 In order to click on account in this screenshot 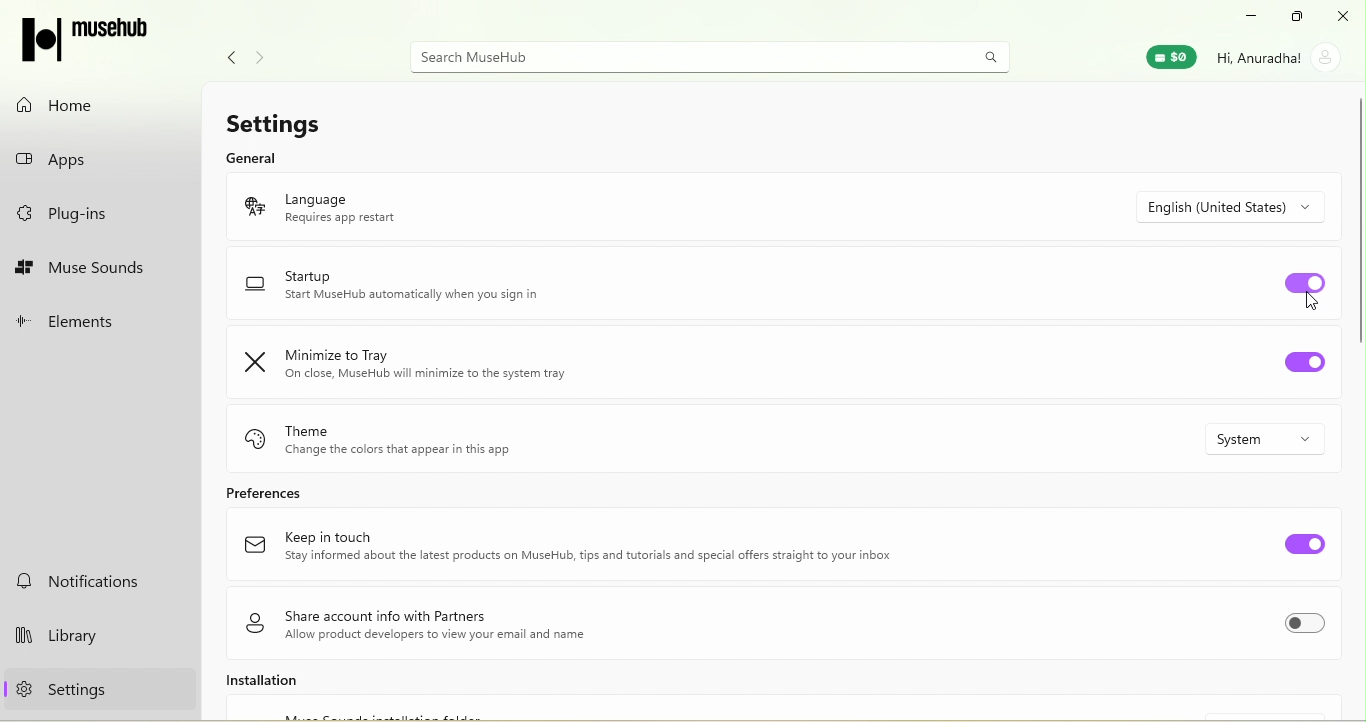, I will do `click(1283, 56)`.